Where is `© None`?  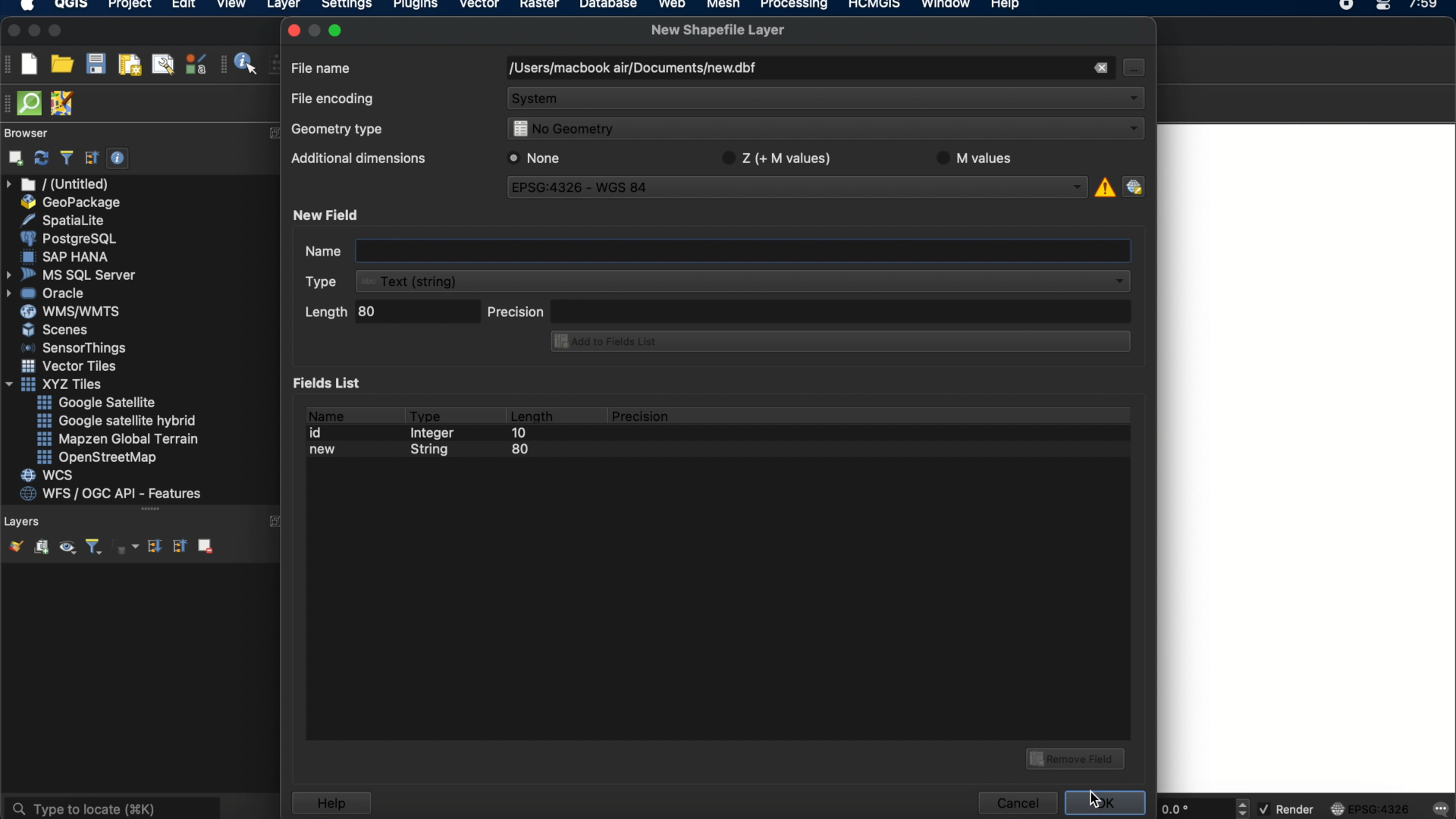
© None is located at coordinates (535, 158).